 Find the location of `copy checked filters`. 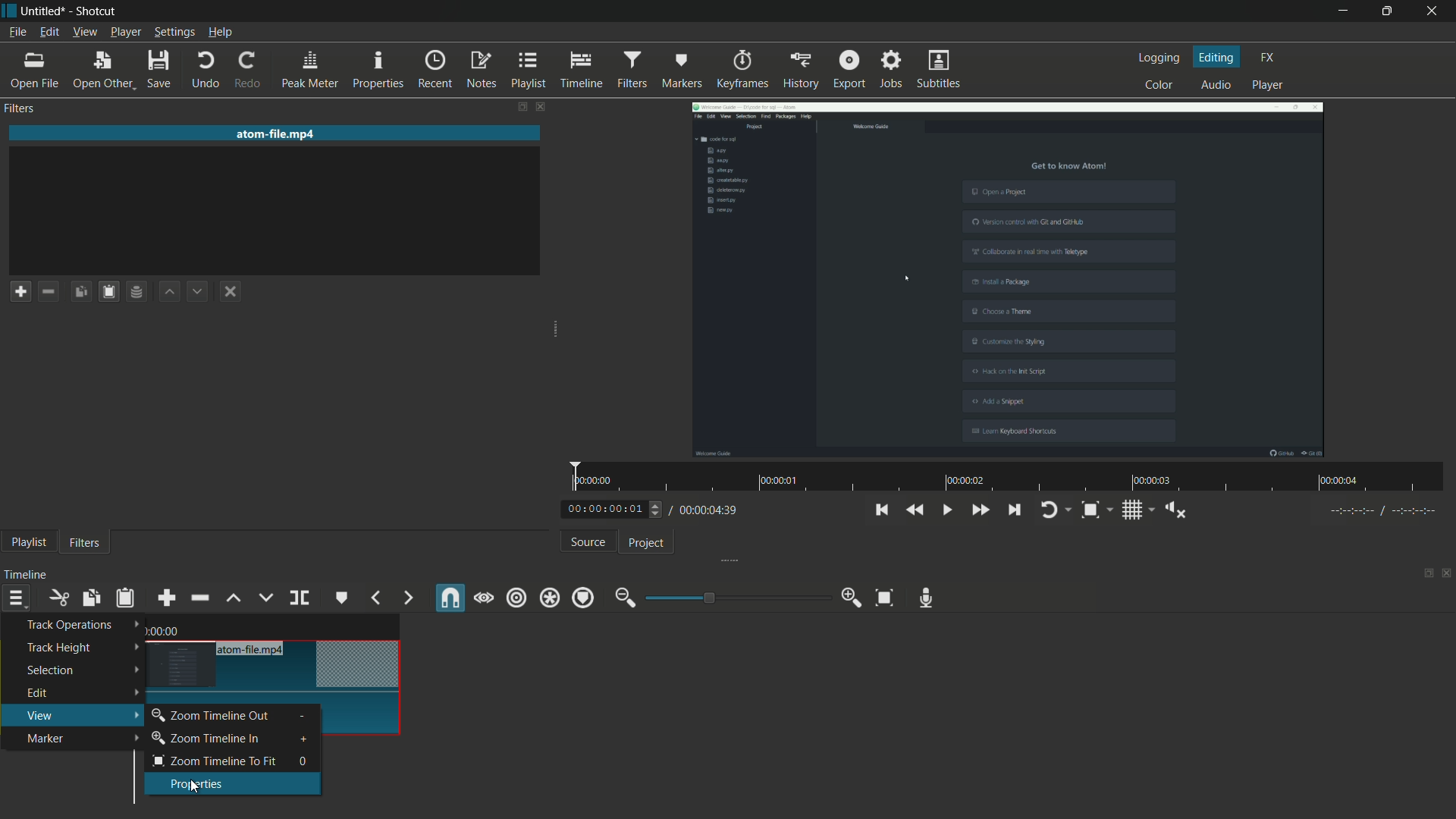

copy checked filters is located at coordinates (81, 292).